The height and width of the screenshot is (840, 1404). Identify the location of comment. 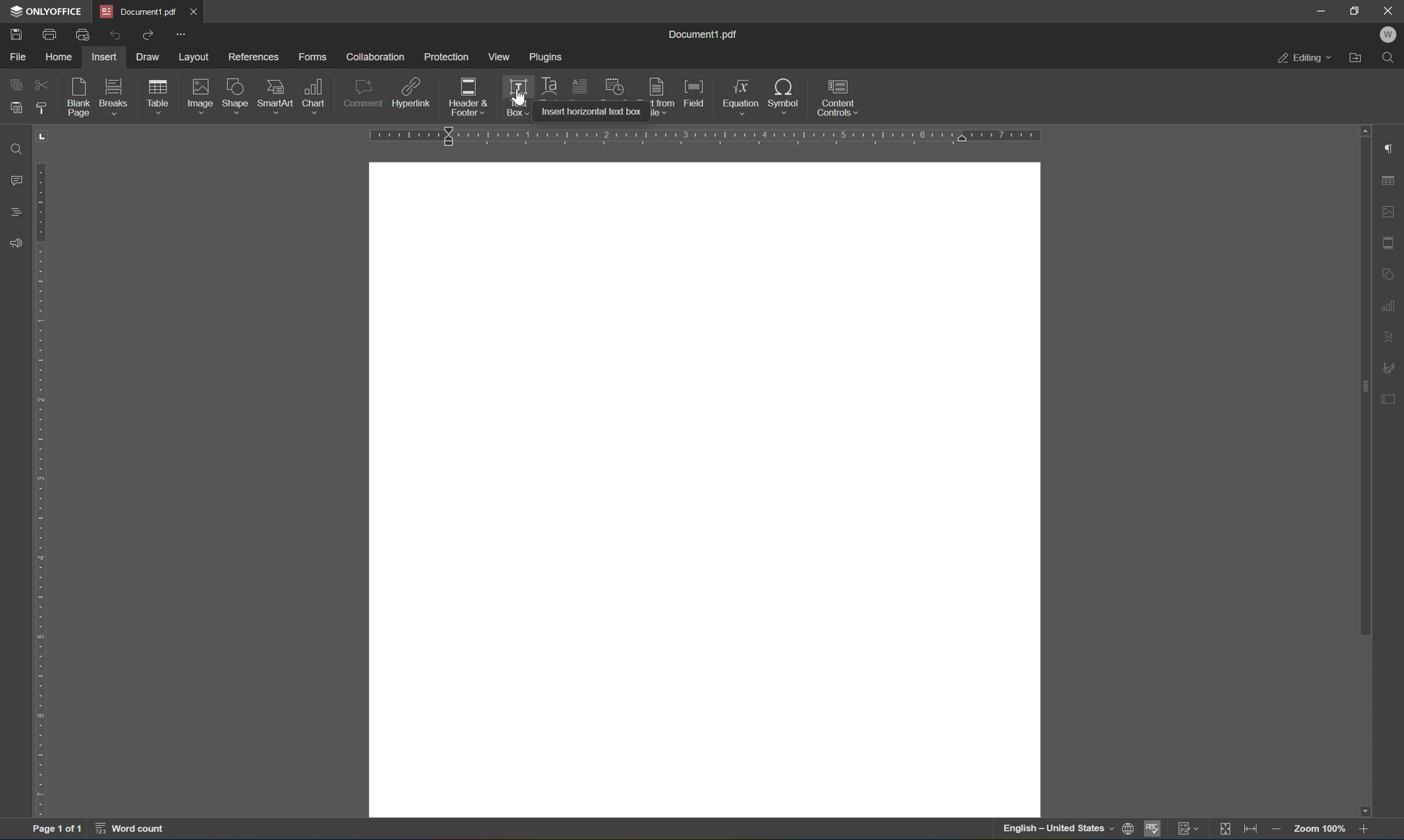
(363, 96).